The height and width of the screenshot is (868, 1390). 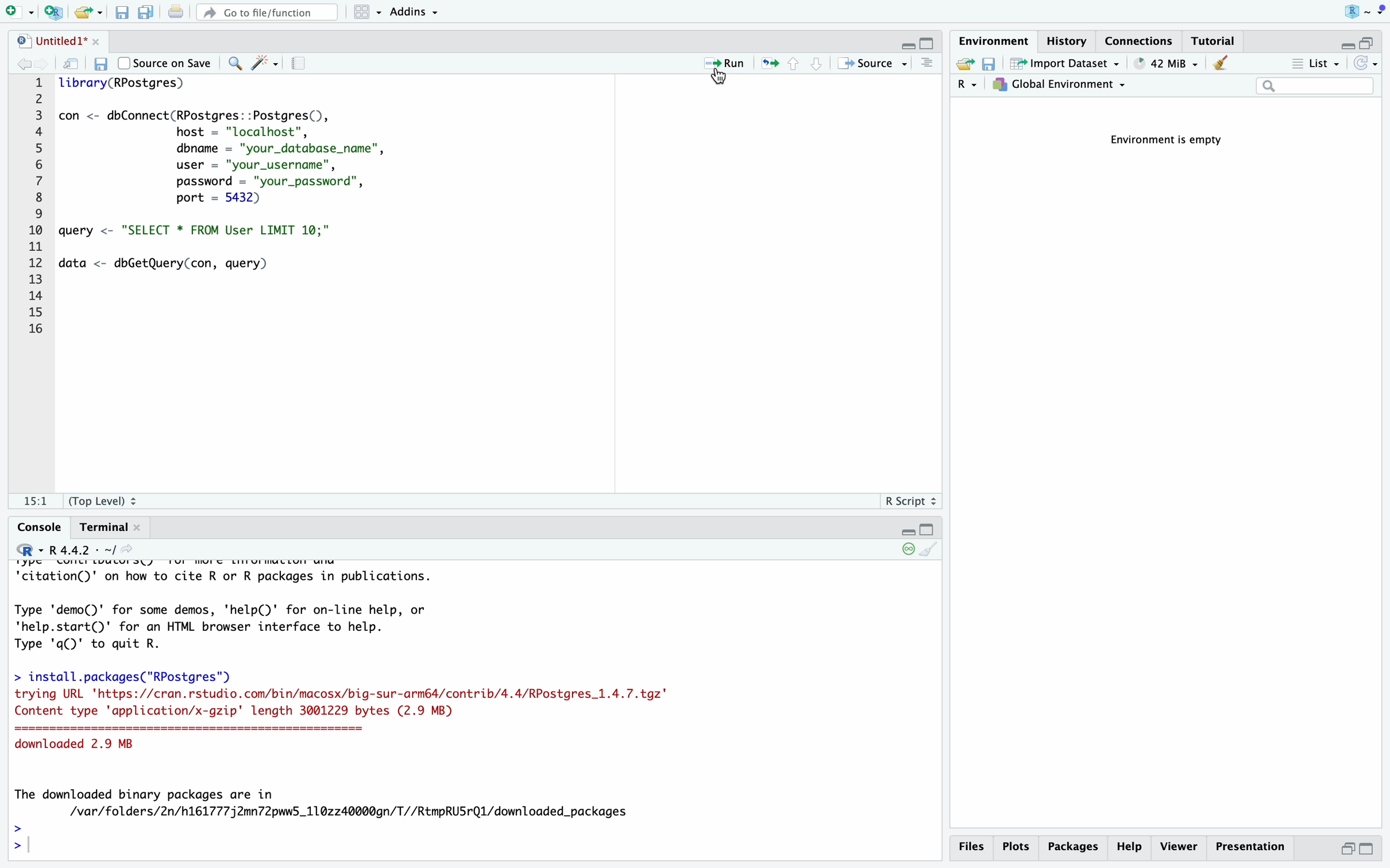 What do you see at coordinates (24, 549) in the screenshot?
I see `language change` at bounding box center [24, 549].